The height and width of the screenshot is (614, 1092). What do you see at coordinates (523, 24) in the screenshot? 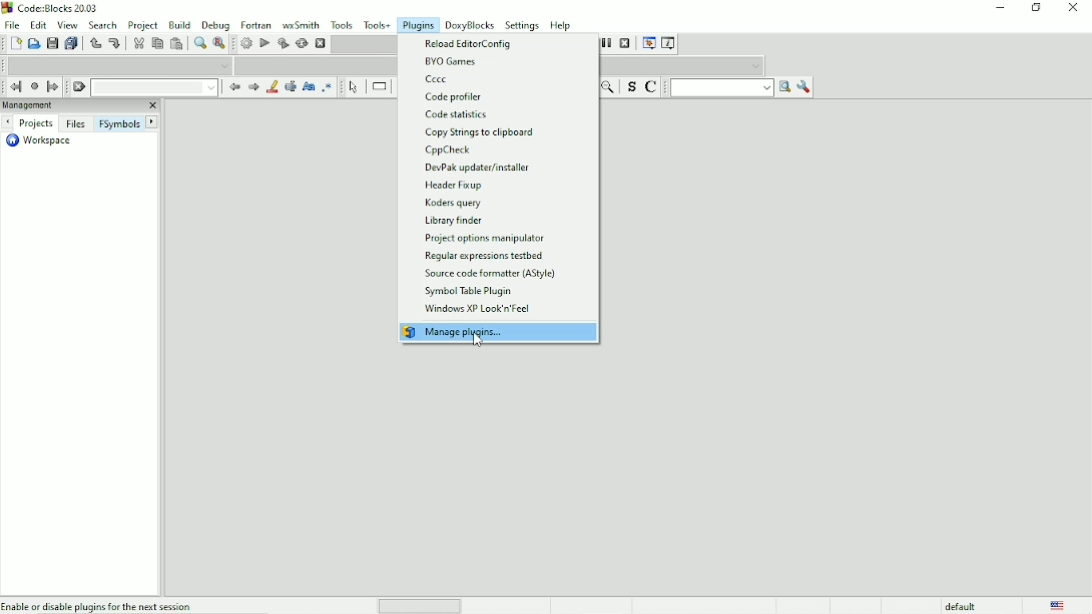
I see `Settings` at bounding box center [523, 24].